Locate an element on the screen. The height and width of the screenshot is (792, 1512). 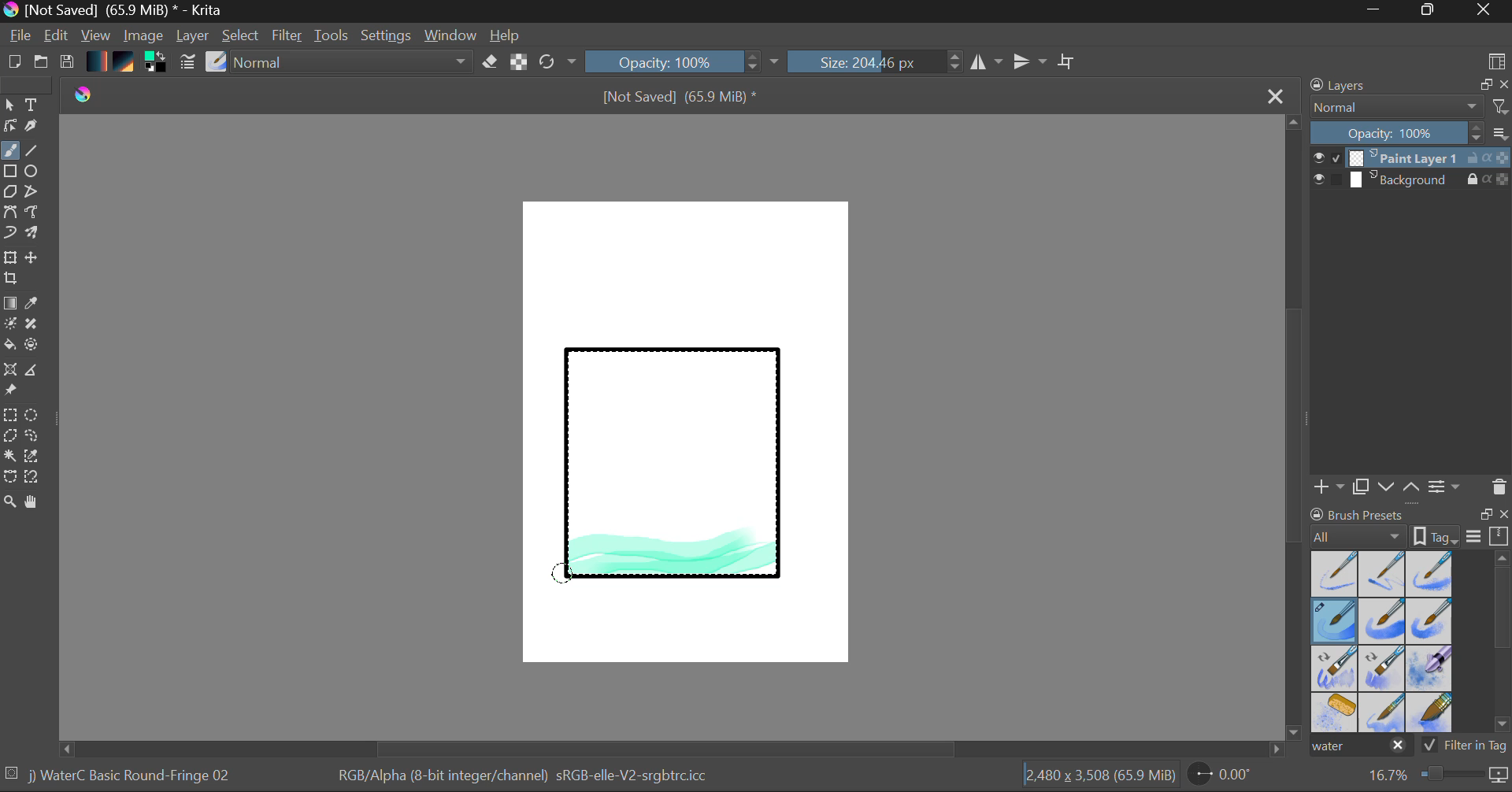
Image is located at coordinates (145, 37).